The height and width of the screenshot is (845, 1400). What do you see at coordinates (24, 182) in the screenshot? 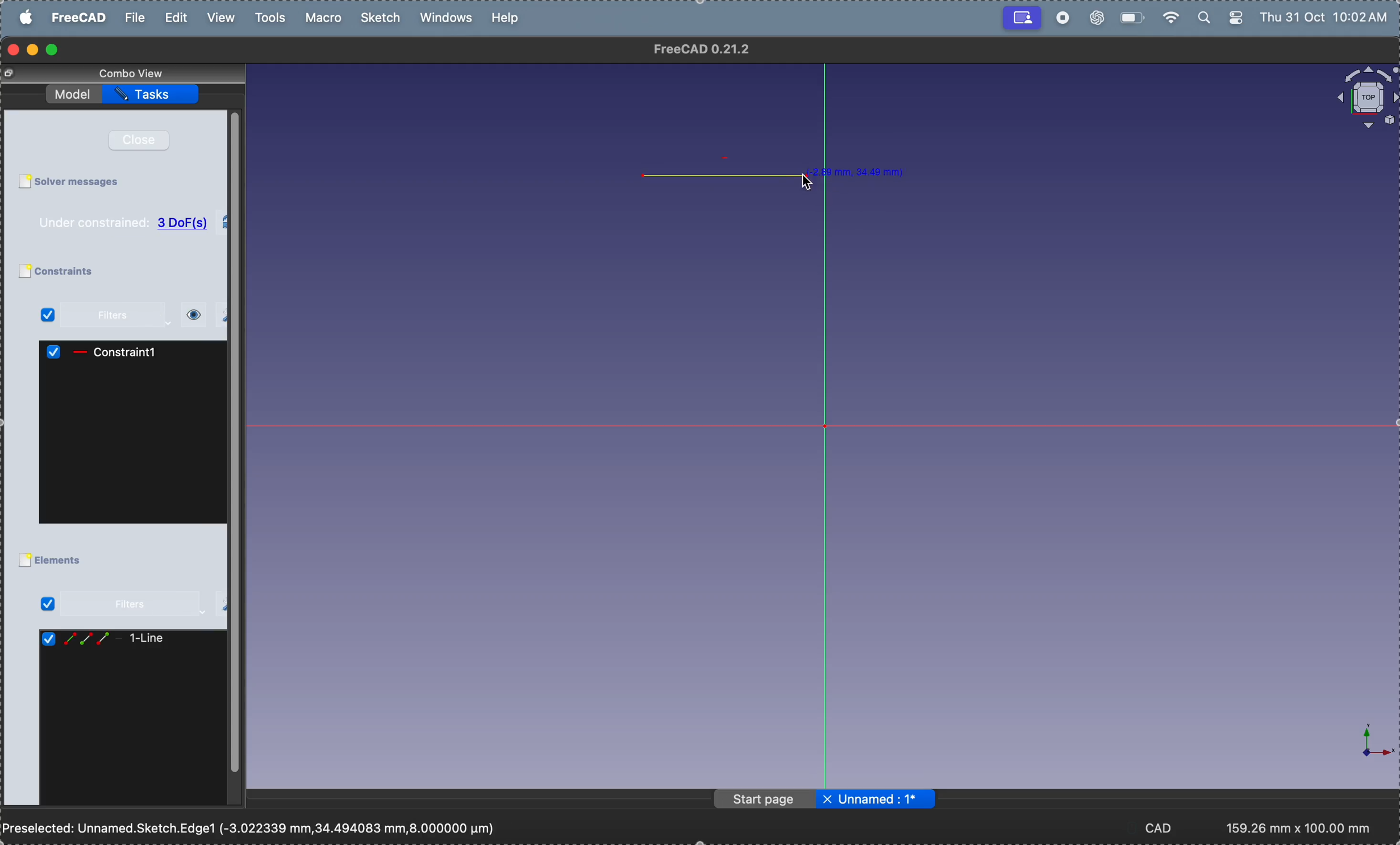
I see `Checkbox` at bounding box center [24, 182].